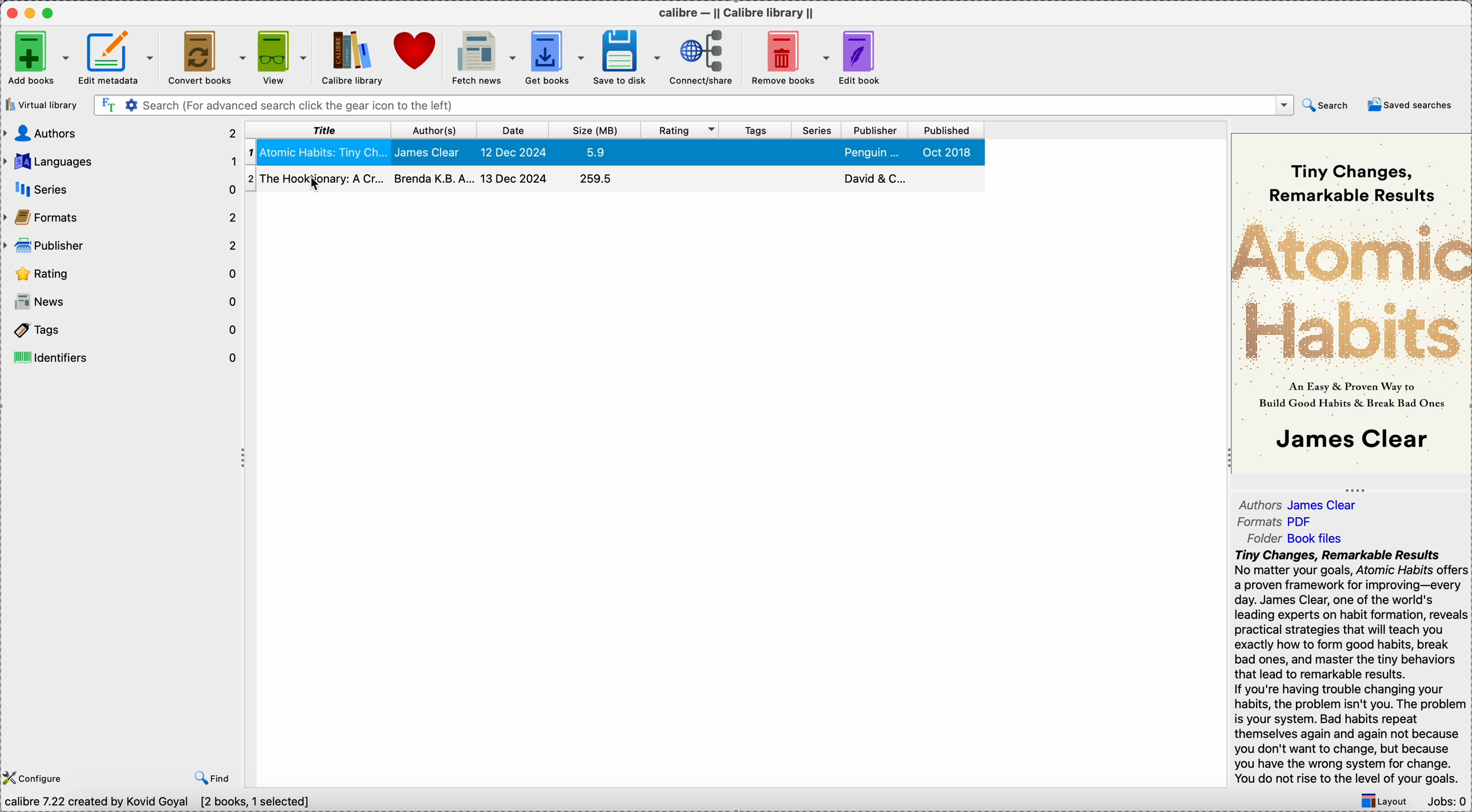  I want to click on maximize Calibre, so click(53, 11).